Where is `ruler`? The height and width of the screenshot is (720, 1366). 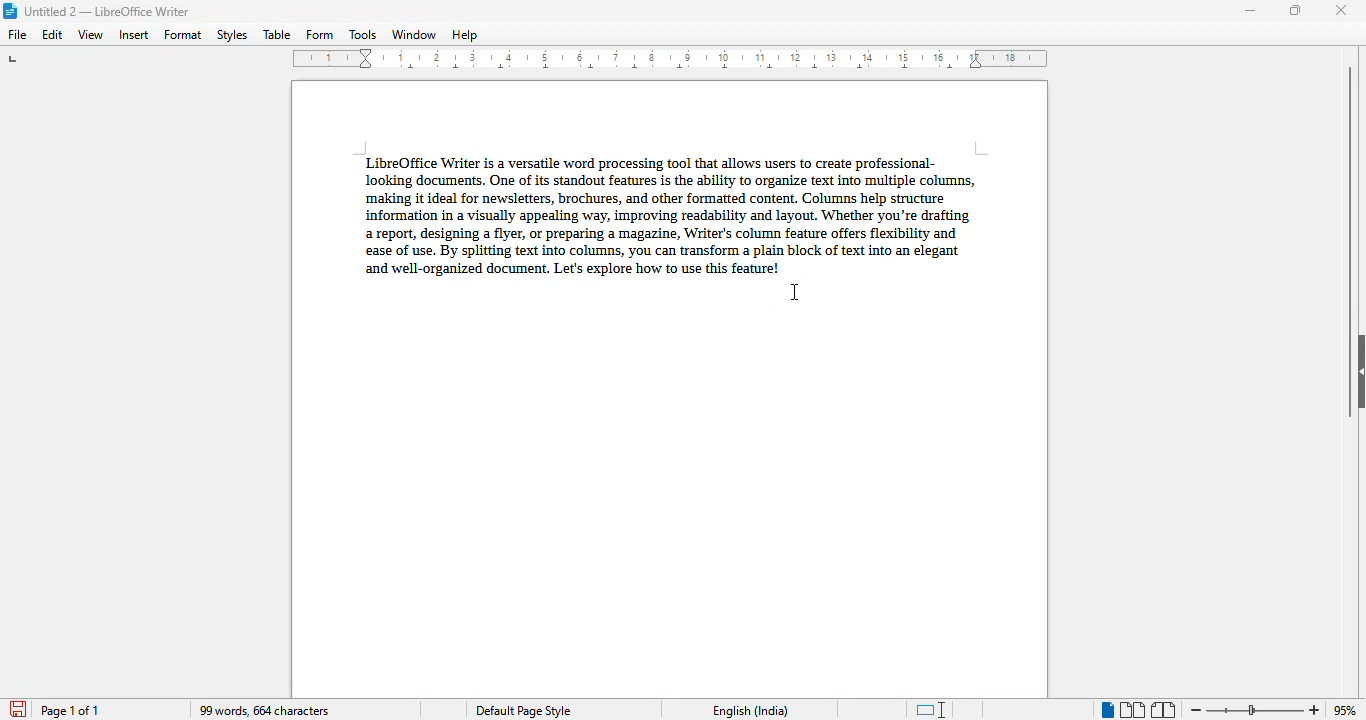
ruler is located at coordinates (673, 59).